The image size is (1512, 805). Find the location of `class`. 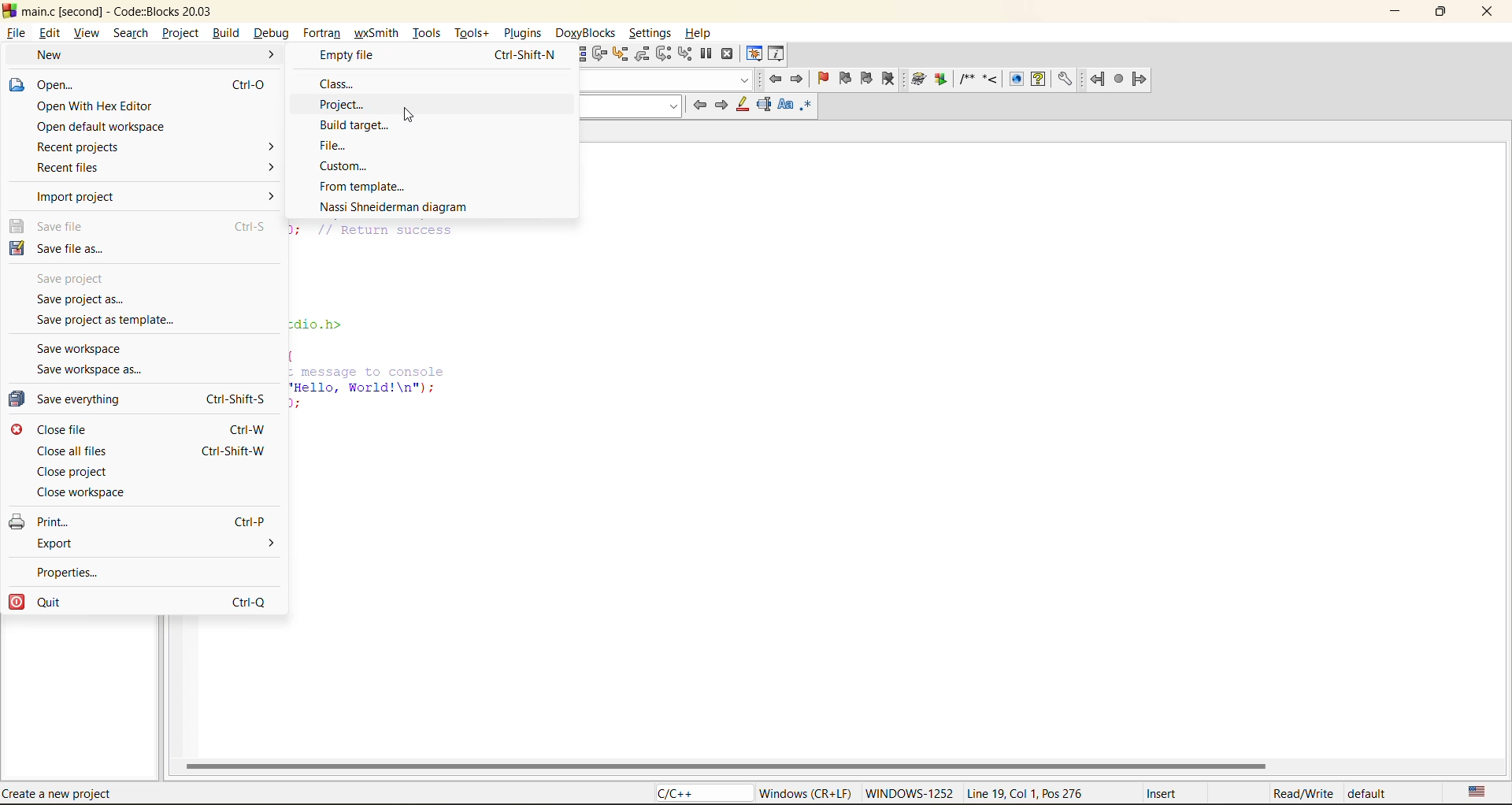

class is located at coordinates (356, 82).